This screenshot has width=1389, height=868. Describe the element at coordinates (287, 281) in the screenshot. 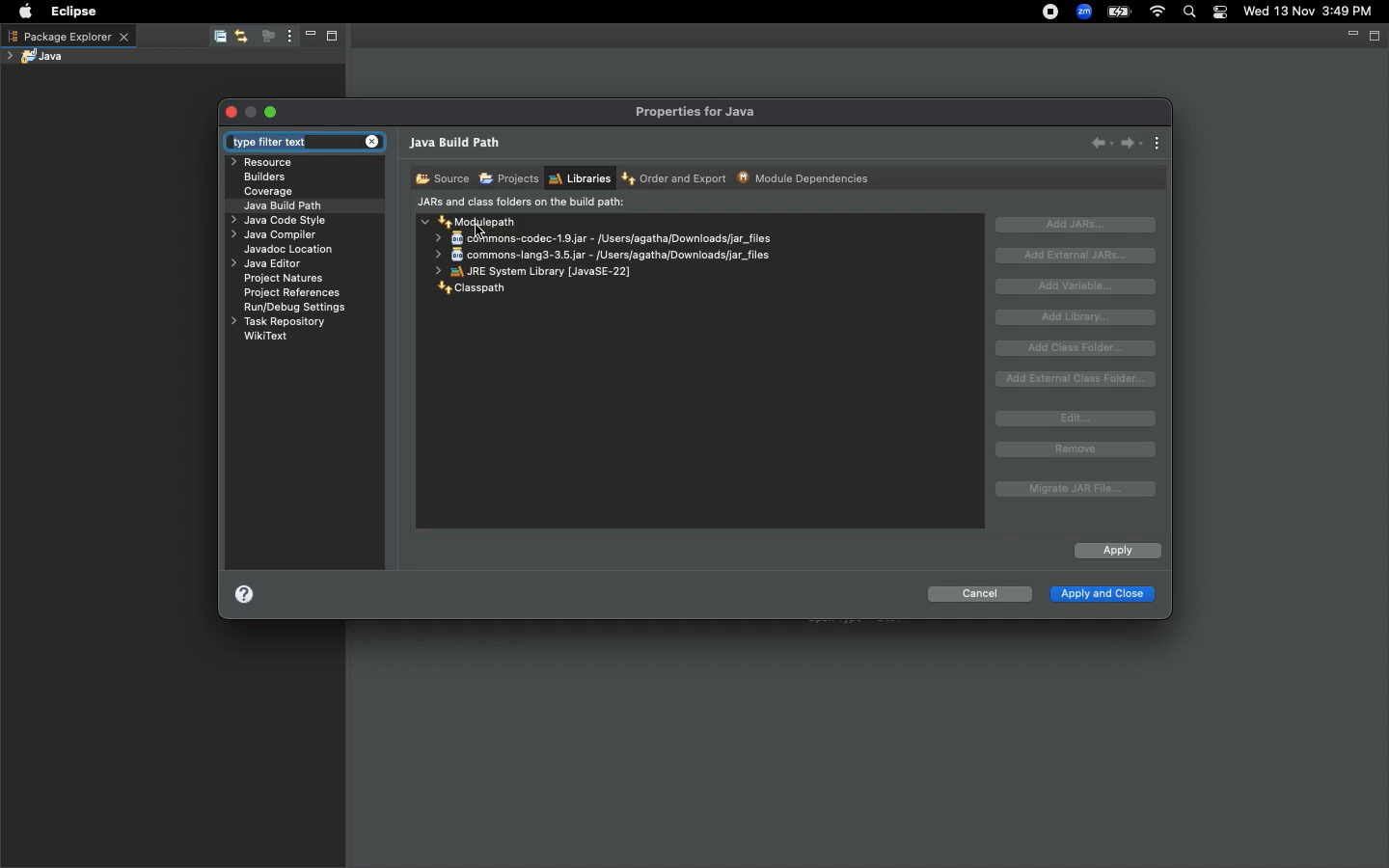

I see `Project natures` at that location.